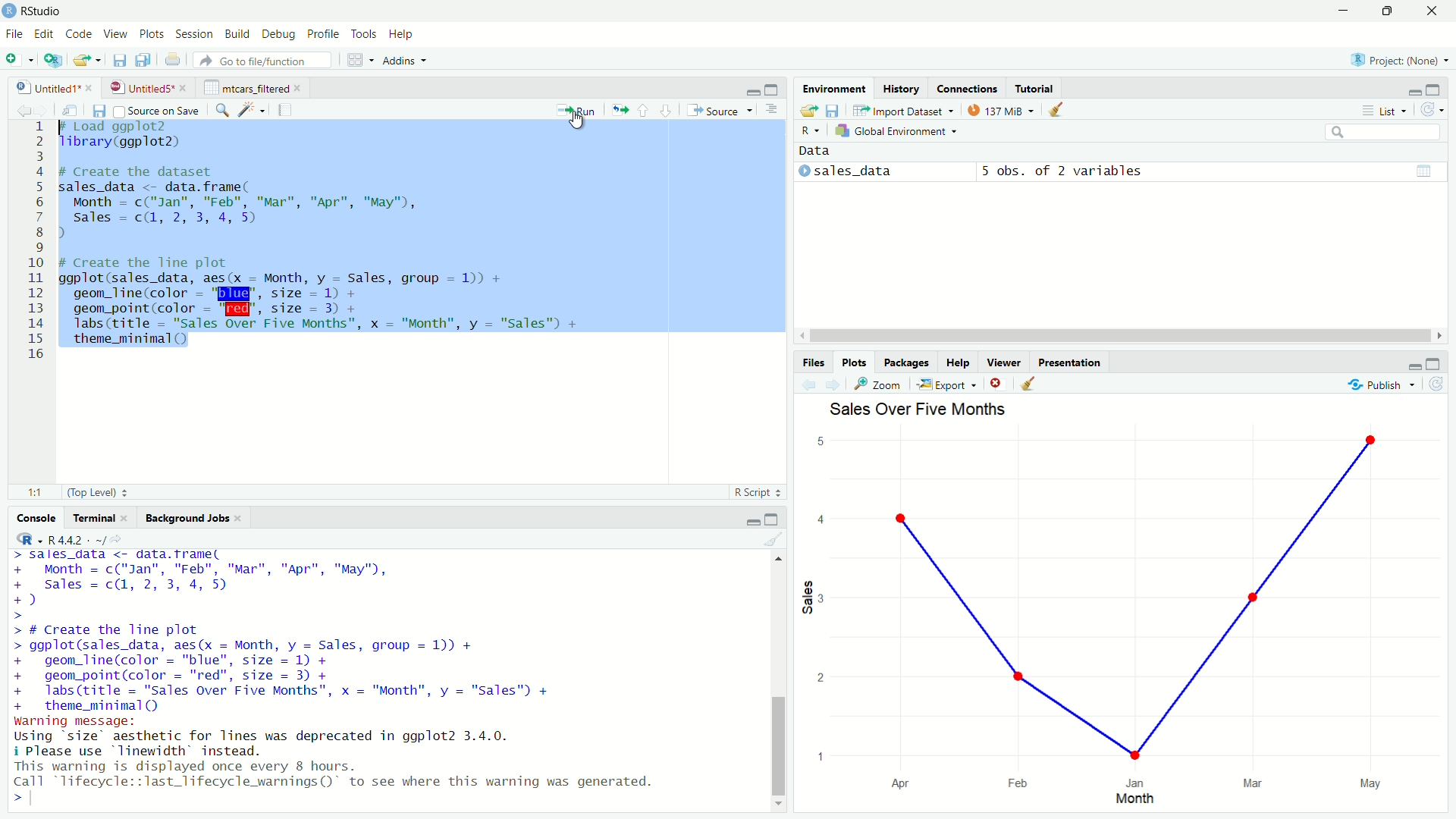 The image size is (1456, 819). What do you see at coordinates (580, 121) in the screenshot?
I see `cursor` at bounding box center [580, 121].